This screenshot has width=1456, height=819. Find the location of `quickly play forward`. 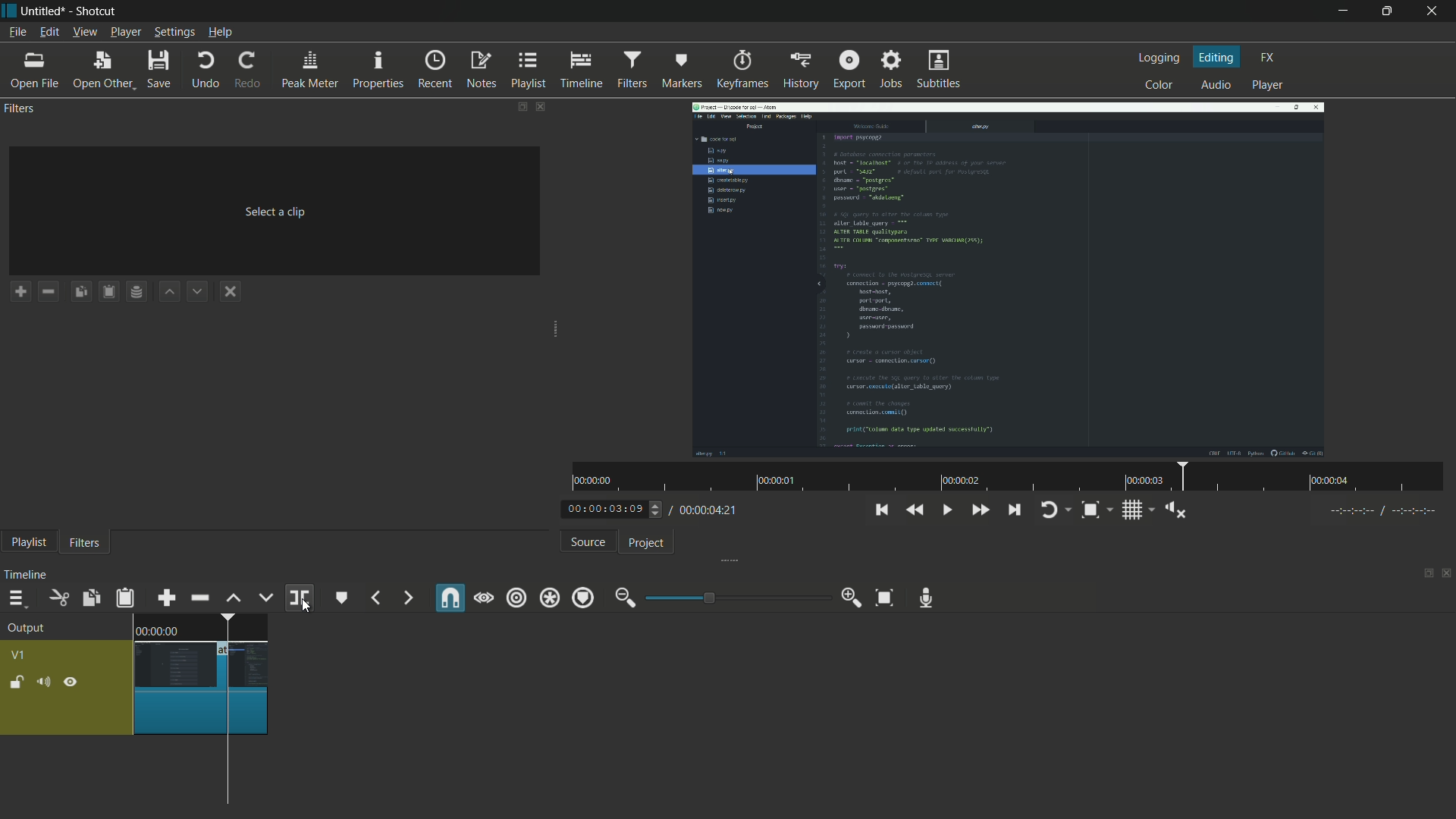

quickly play forward is located at coordinates (979, 510).